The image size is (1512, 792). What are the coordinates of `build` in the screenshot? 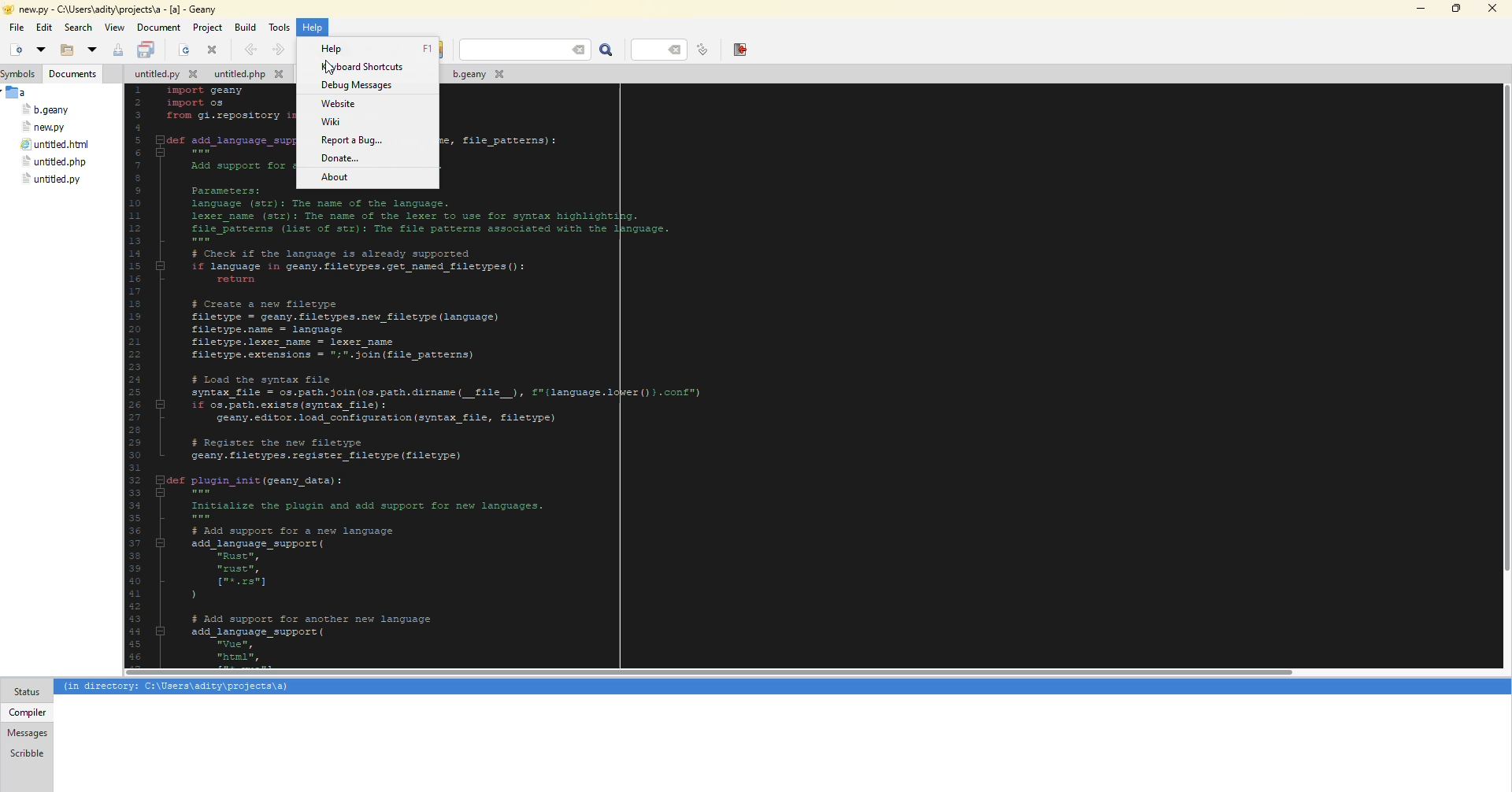 It's located at (245, 26).